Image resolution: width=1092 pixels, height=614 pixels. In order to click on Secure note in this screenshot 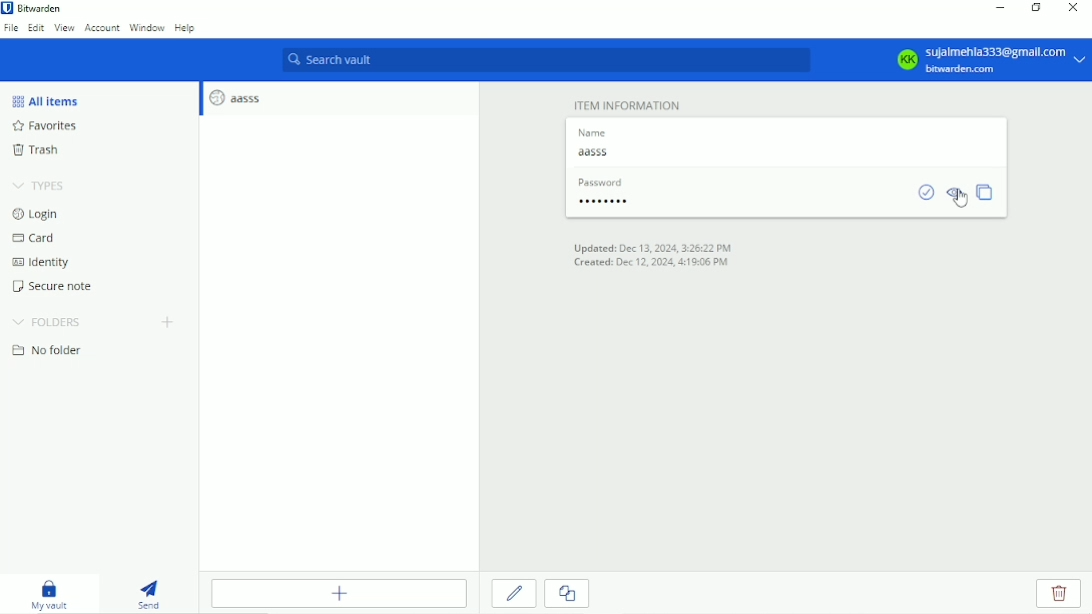, I will do `click(55, 287)`.